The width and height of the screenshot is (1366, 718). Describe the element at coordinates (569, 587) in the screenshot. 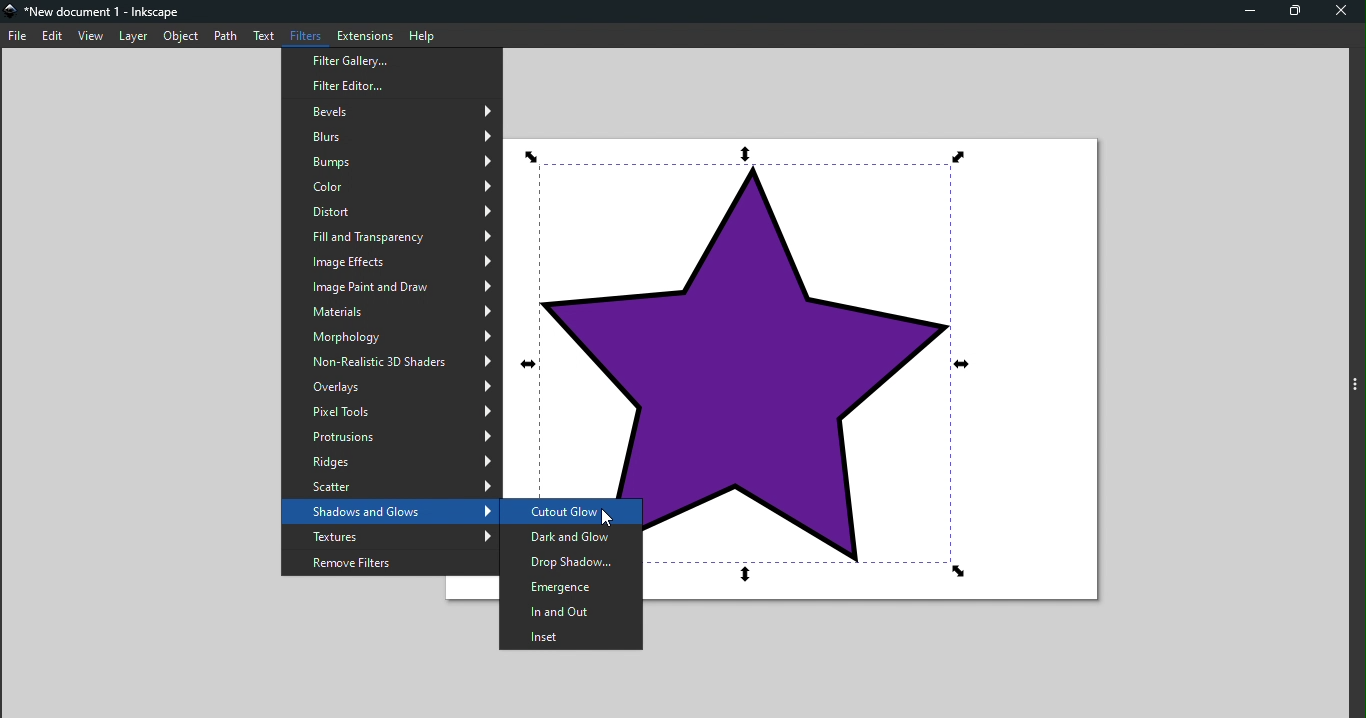

I see `Emergence` at that location.